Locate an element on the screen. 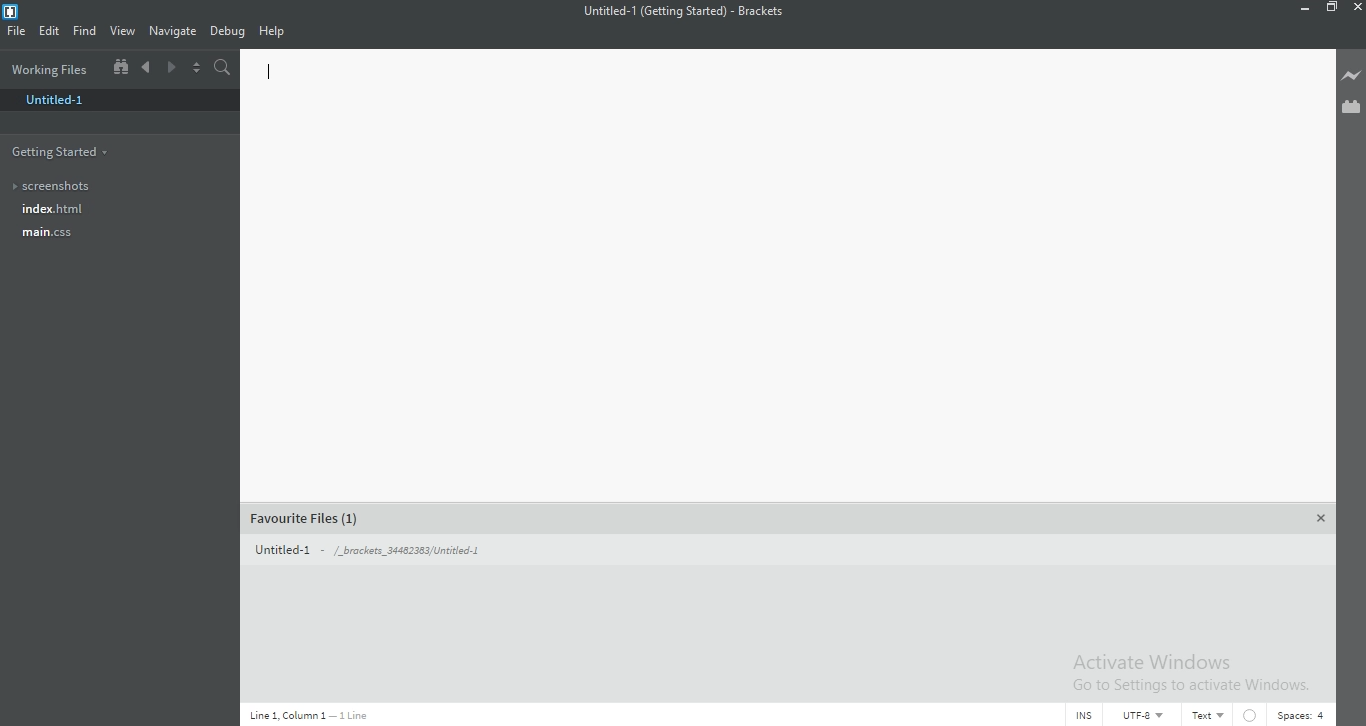 This screenshot has height=726, width=1366. FIle is located at coordinates (14, 31).